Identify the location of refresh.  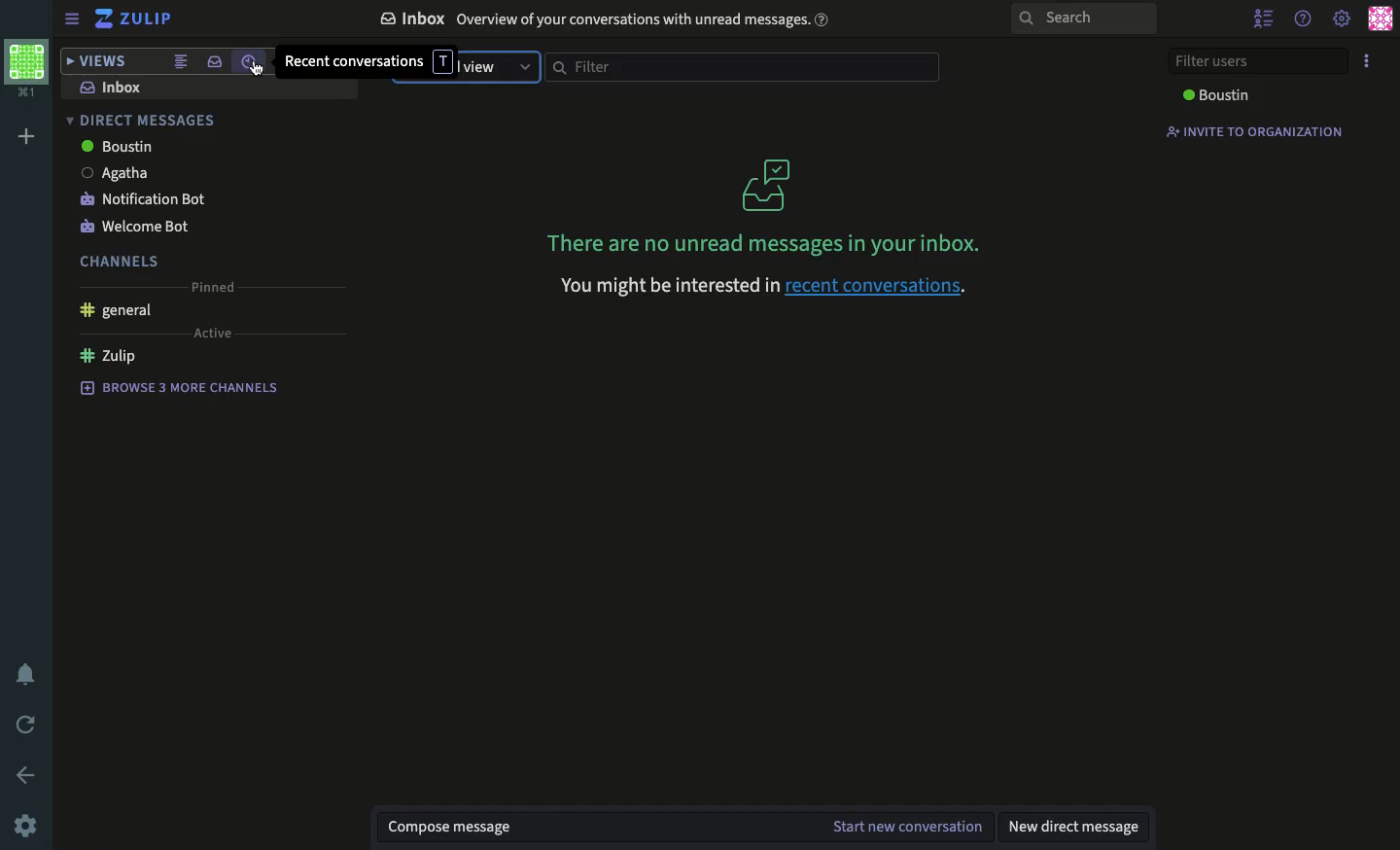
(30, 724).